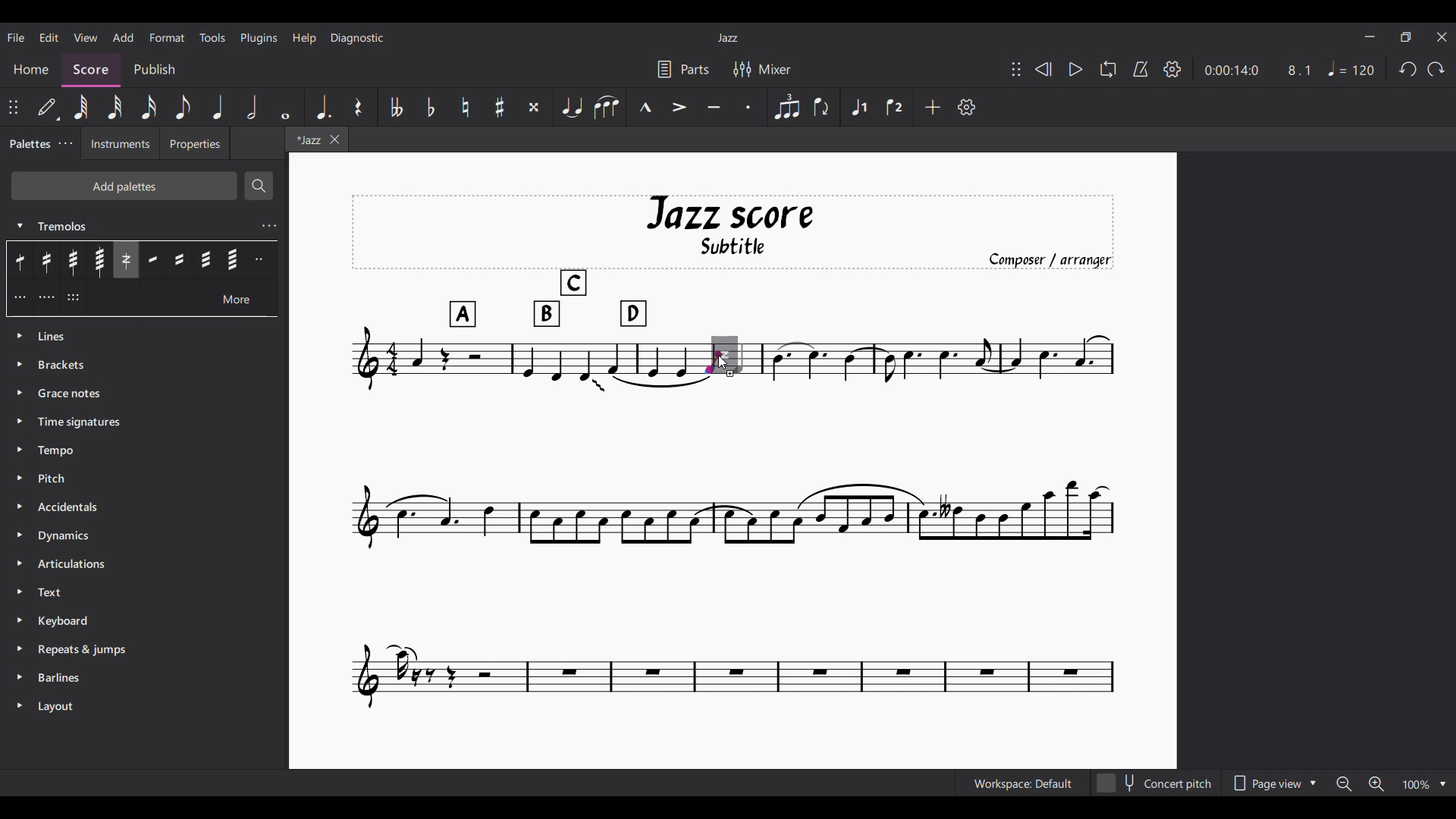 This screenshot has width=1456, height=819. What do you see at coordinates (155, 69) in the screenshot?
I see `Publish` at bounding box center [155, 69].